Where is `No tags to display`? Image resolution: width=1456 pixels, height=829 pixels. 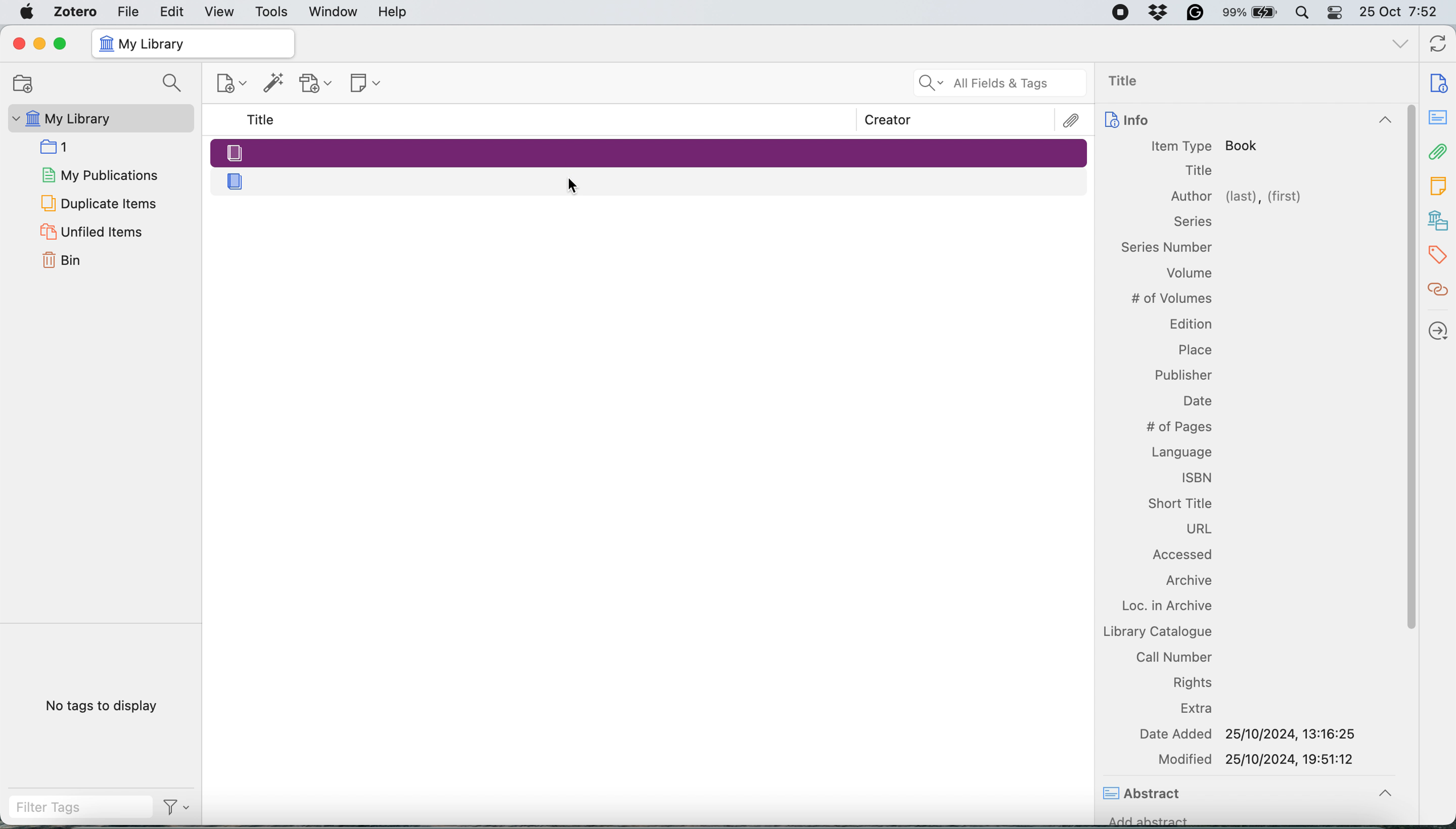 No tags to display is located at coordinates (105, 708).